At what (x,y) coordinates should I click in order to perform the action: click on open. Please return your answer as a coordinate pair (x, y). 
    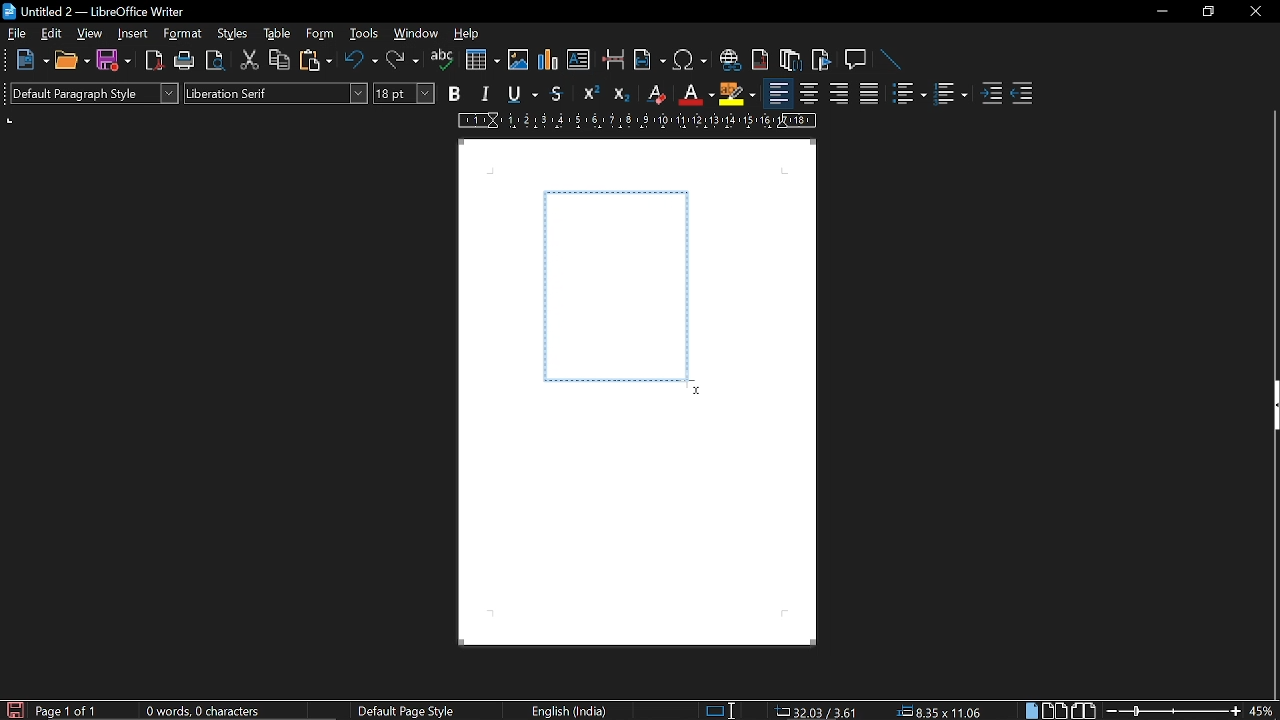
    Looking at the image, I should click on (72, 61).